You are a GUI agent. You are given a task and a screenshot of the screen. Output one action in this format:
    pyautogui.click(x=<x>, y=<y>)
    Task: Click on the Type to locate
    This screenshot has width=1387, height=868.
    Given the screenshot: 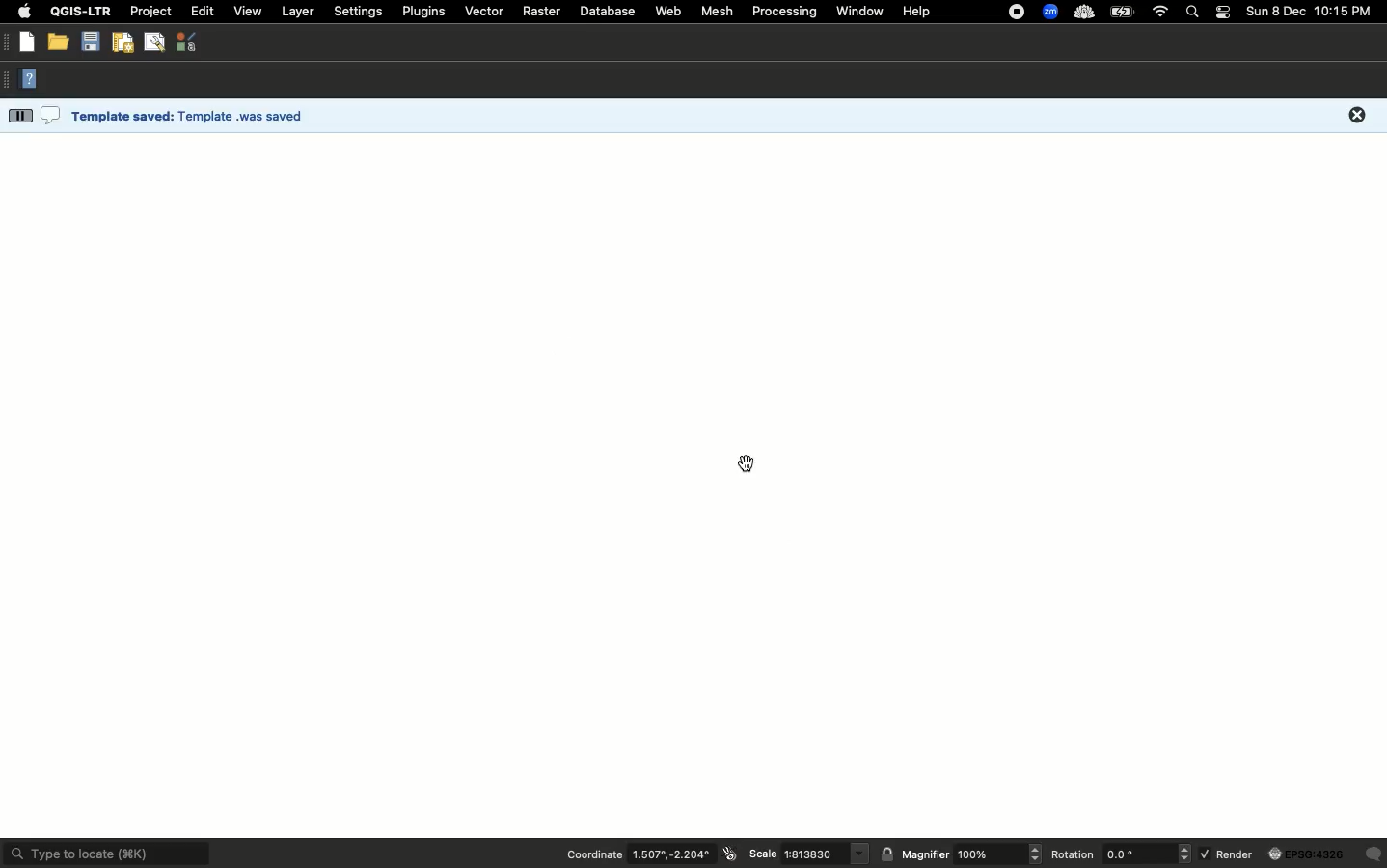 What is the action you would take?
    pyautogui.click(x=106, y=852)
    